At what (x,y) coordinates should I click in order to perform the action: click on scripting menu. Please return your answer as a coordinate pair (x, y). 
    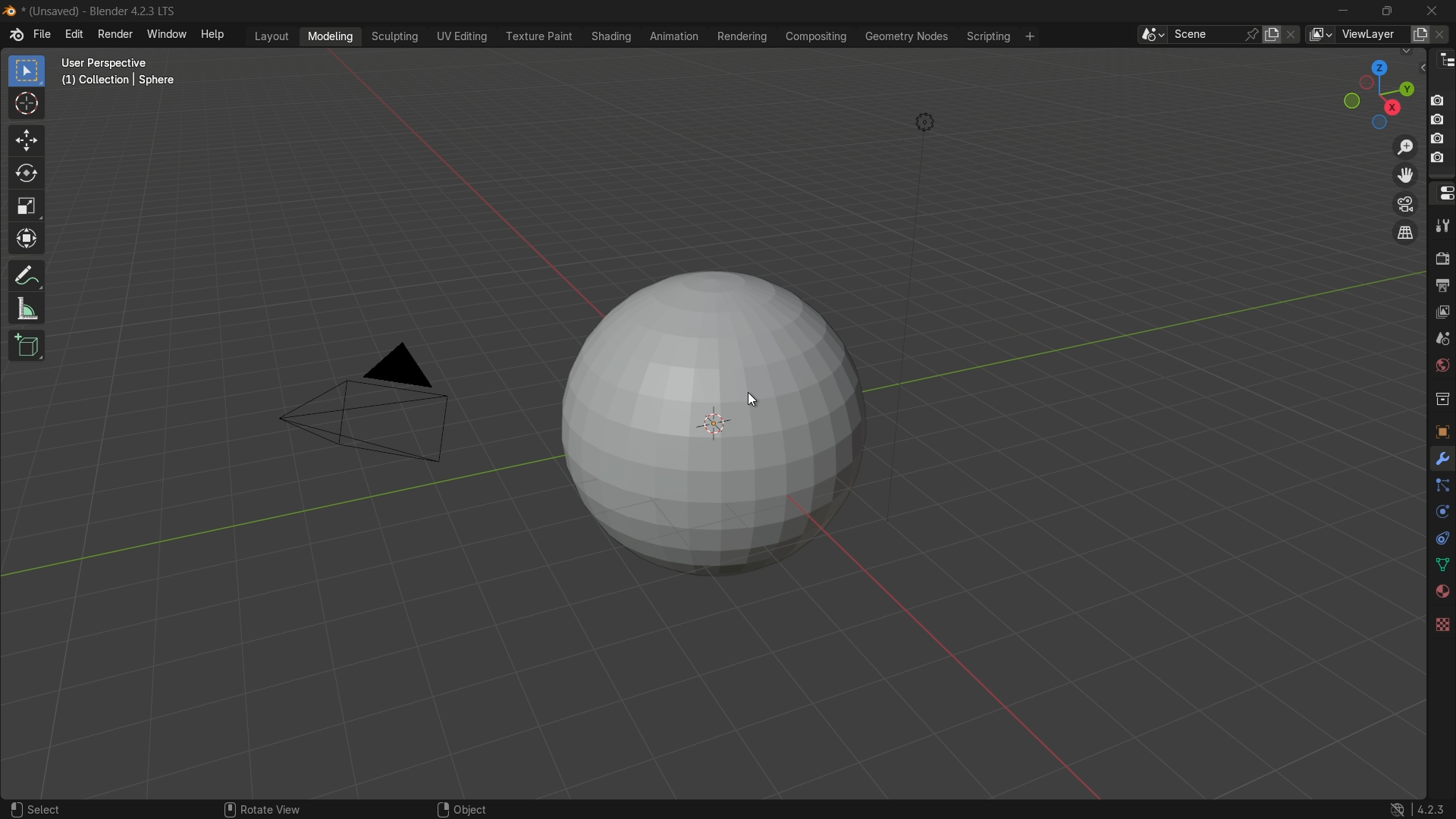
    Looking at the image, I should click on (990, 38).